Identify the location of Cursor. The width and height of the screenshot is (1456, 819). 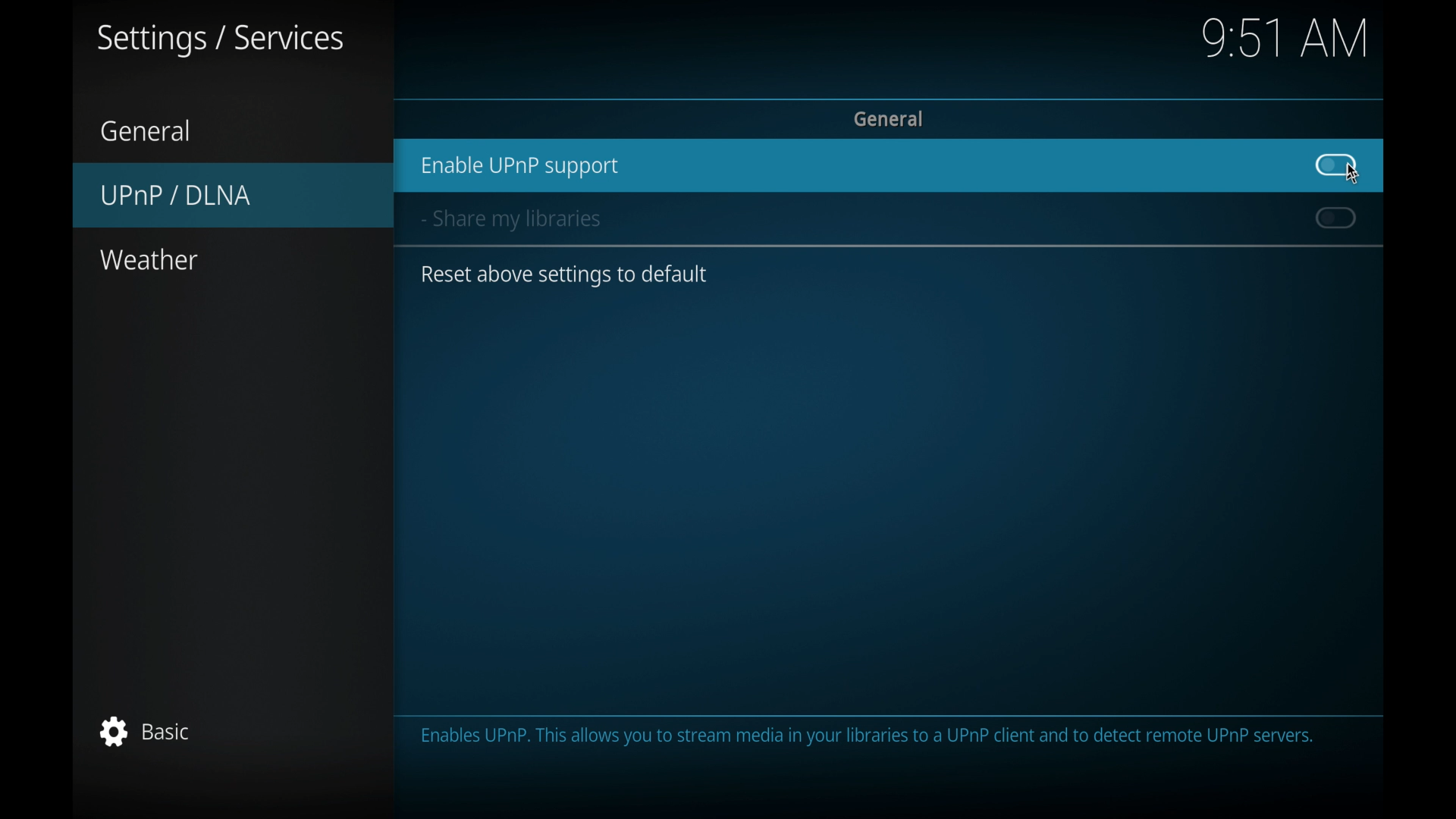
(1357, 175).